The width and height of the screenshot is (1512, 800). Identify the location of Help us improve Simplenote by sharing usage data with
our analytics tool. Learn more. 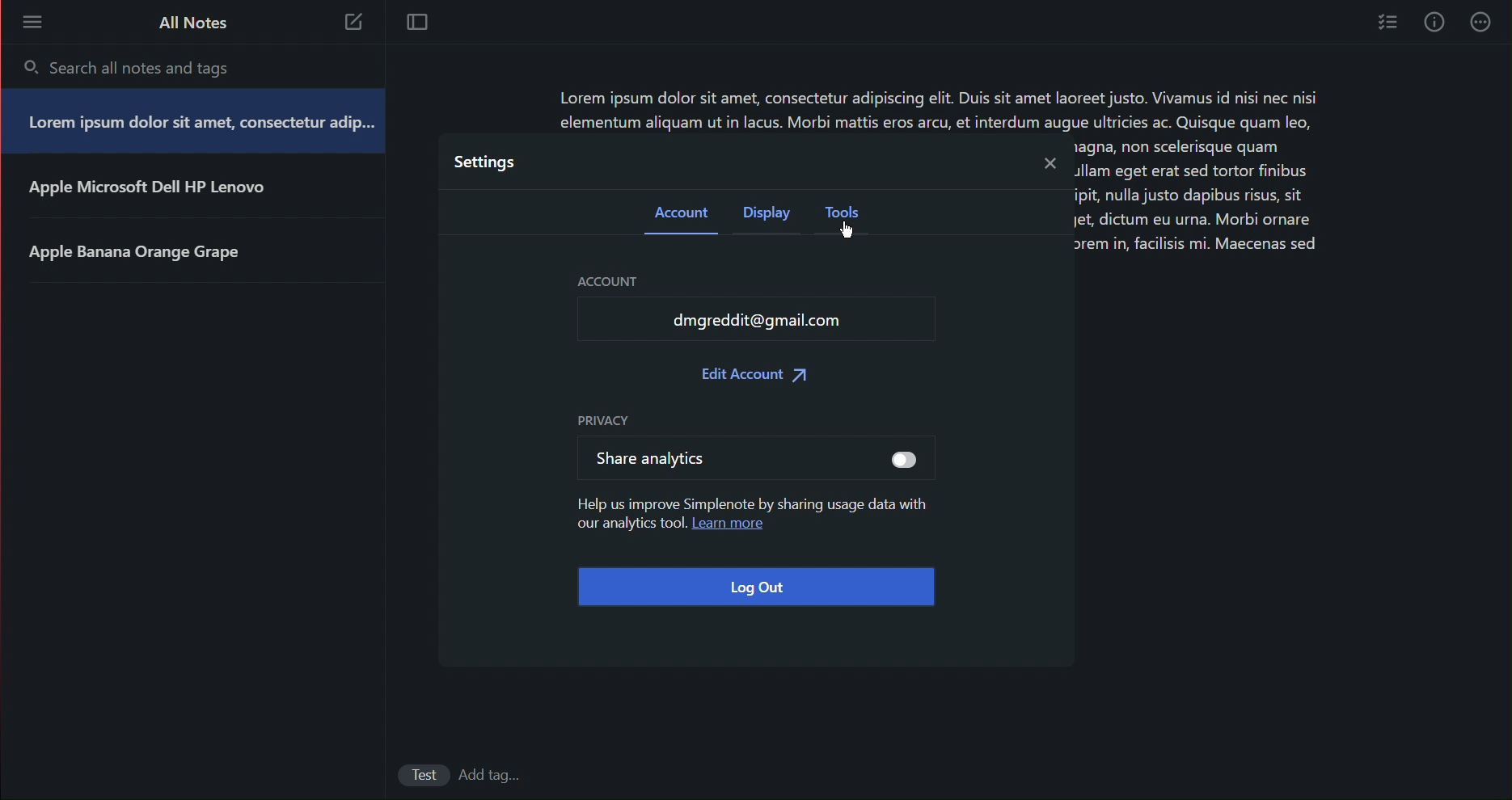
(753, 520).